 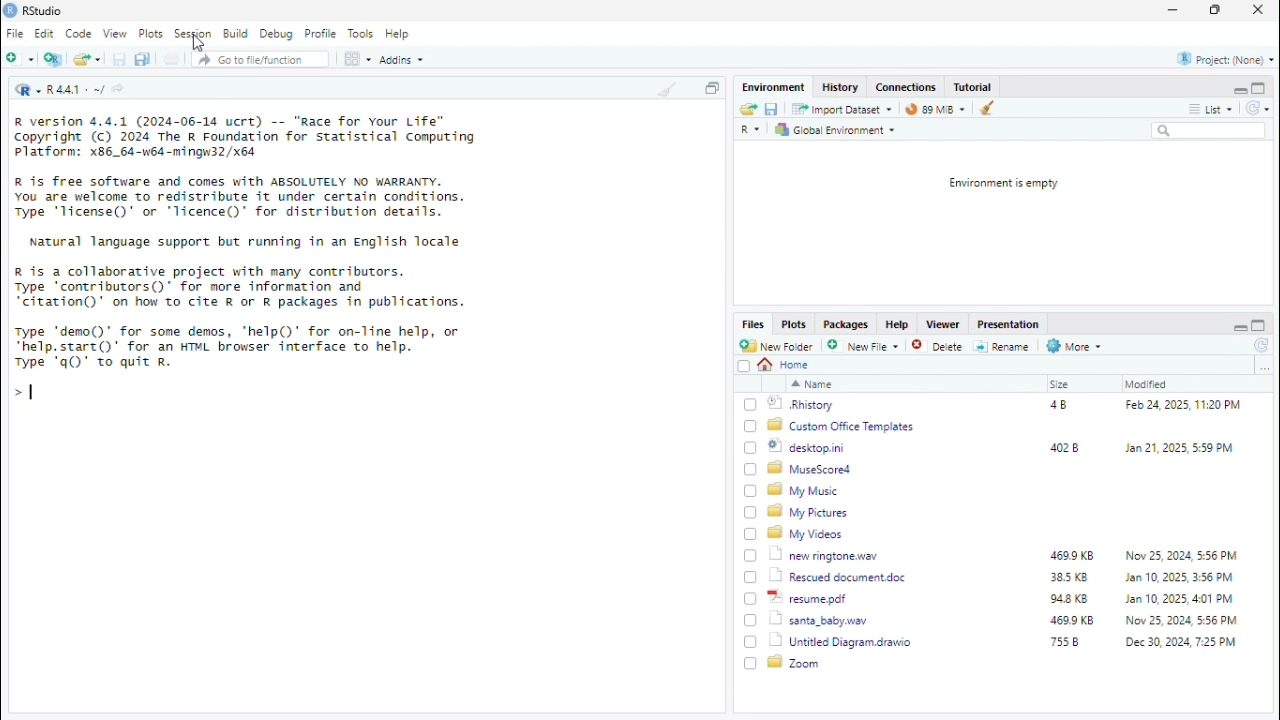 What do you see at coordinates (939, 347) in the screenshot?
I see `Delete` at bounding box center [939, 347].